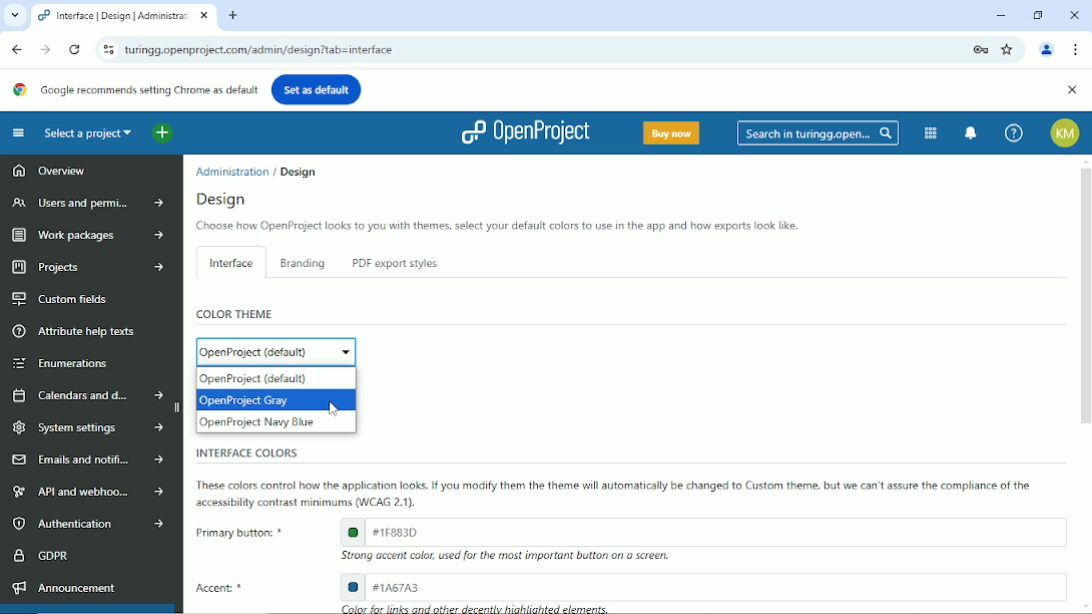  I want to click on hide sidebar, so click(179, 408).